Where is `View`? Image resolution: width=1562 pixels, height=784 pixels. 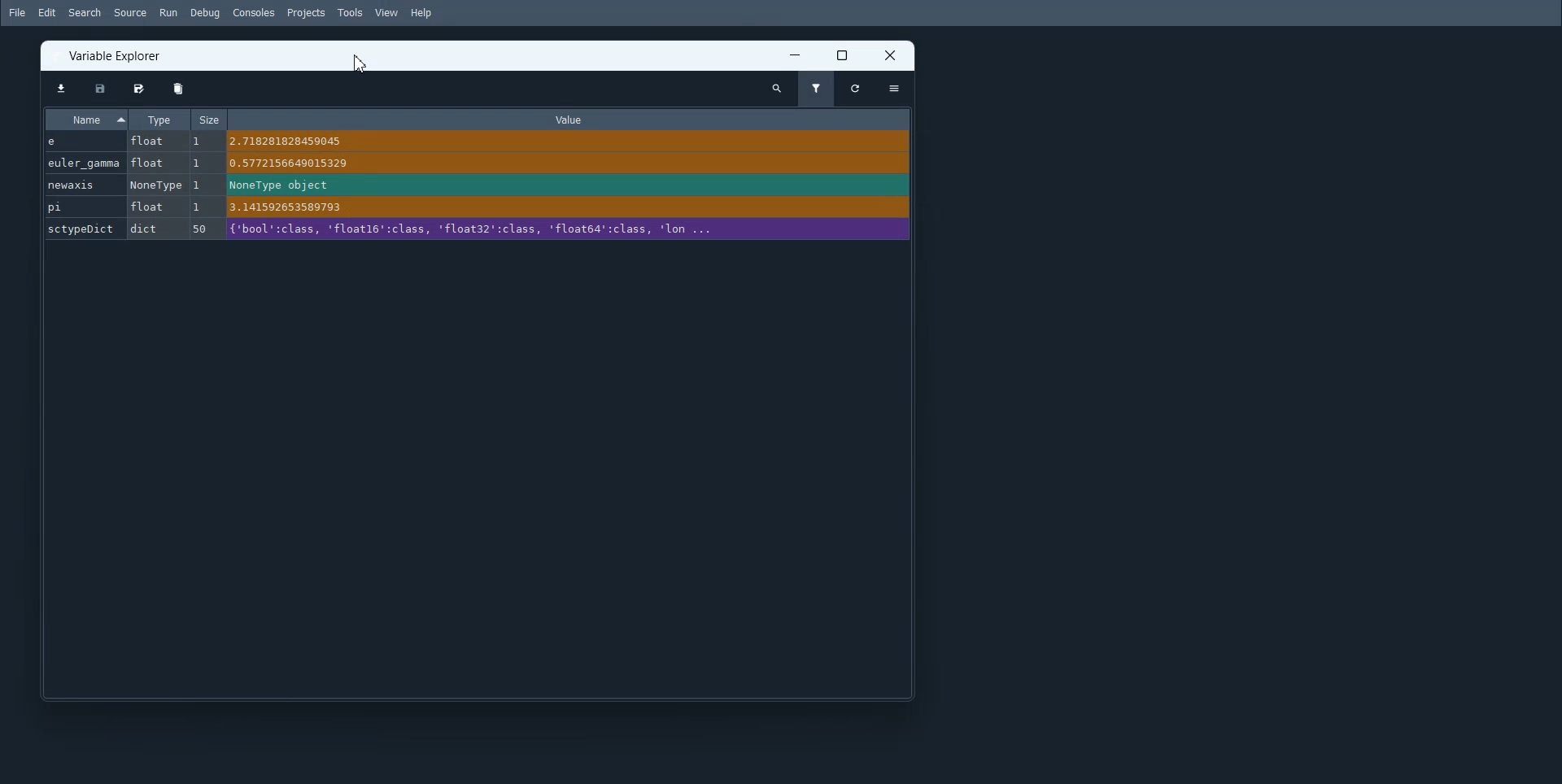 View is located at coordinates (386, 12).